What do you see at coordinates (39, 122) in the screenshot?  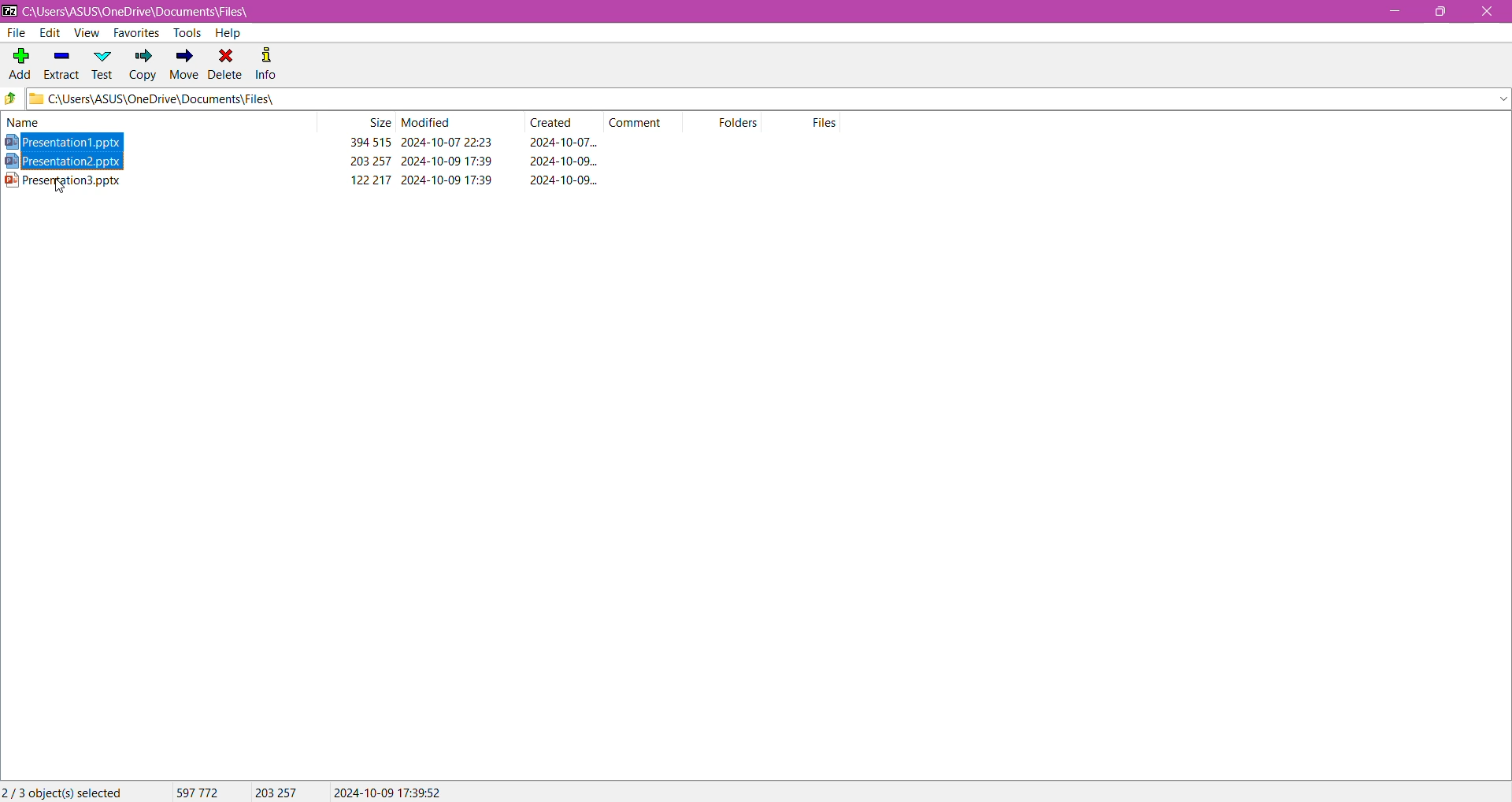 I see `Name` at bounding box center [39, 122].